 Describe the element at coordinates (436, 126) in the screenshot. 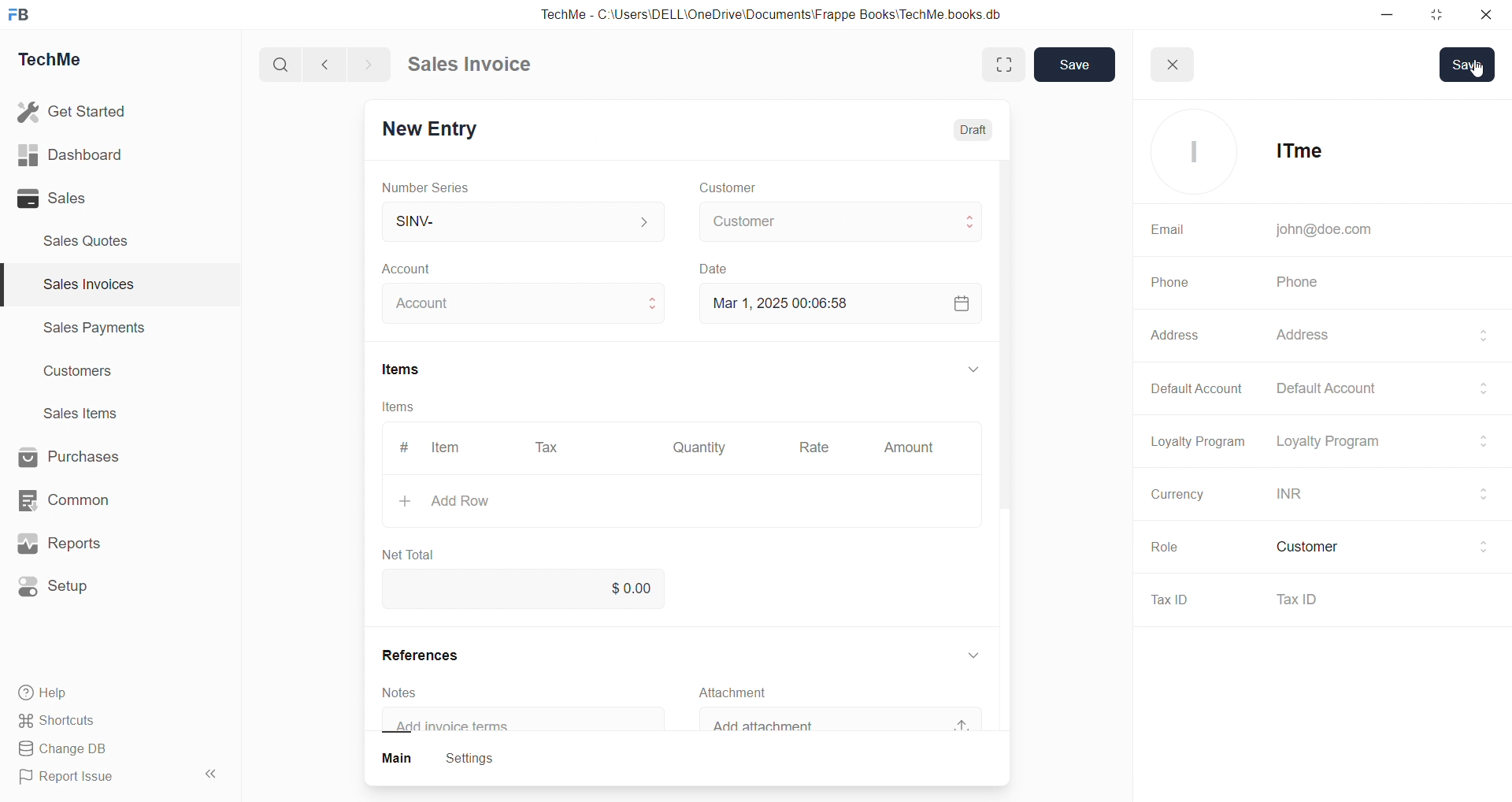

I see `New Entry` at that location.